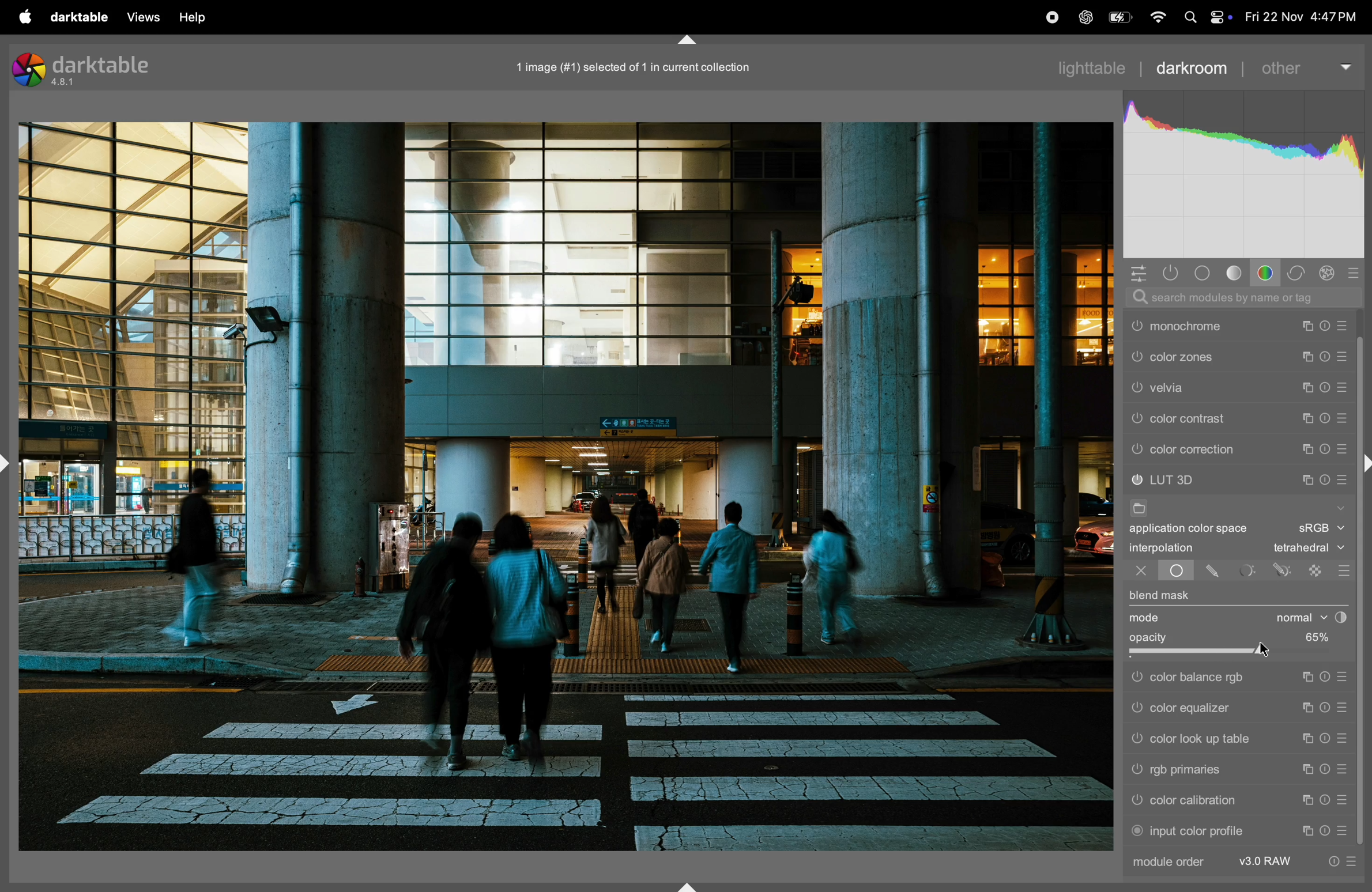  What do you see at coordinates (1356, 273) in the screenshot?
I see `presets` at bounding box center [1356, 273].